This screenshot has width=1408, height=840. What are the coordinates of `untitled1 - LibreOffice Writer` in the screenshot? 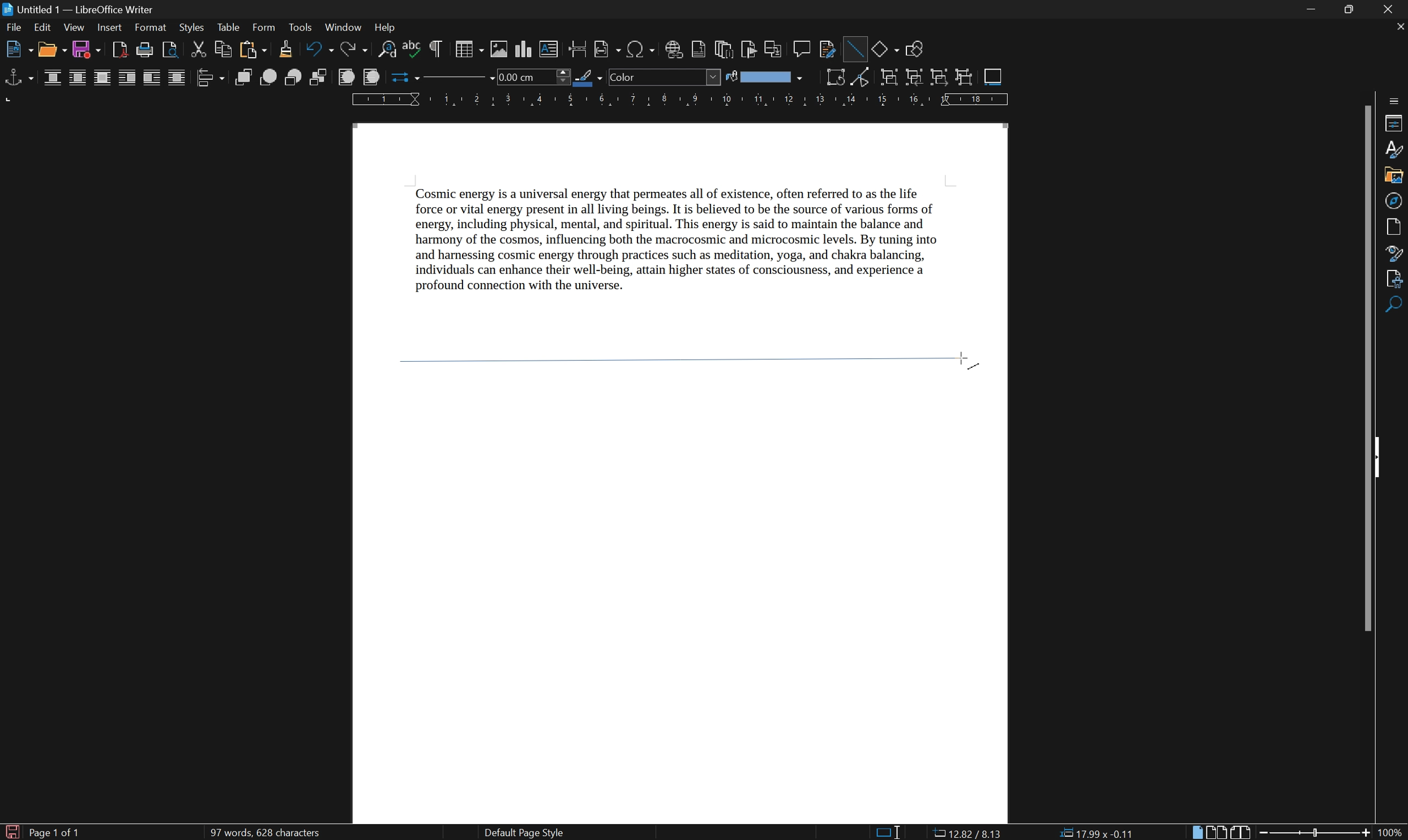 It's located at (81, 9).